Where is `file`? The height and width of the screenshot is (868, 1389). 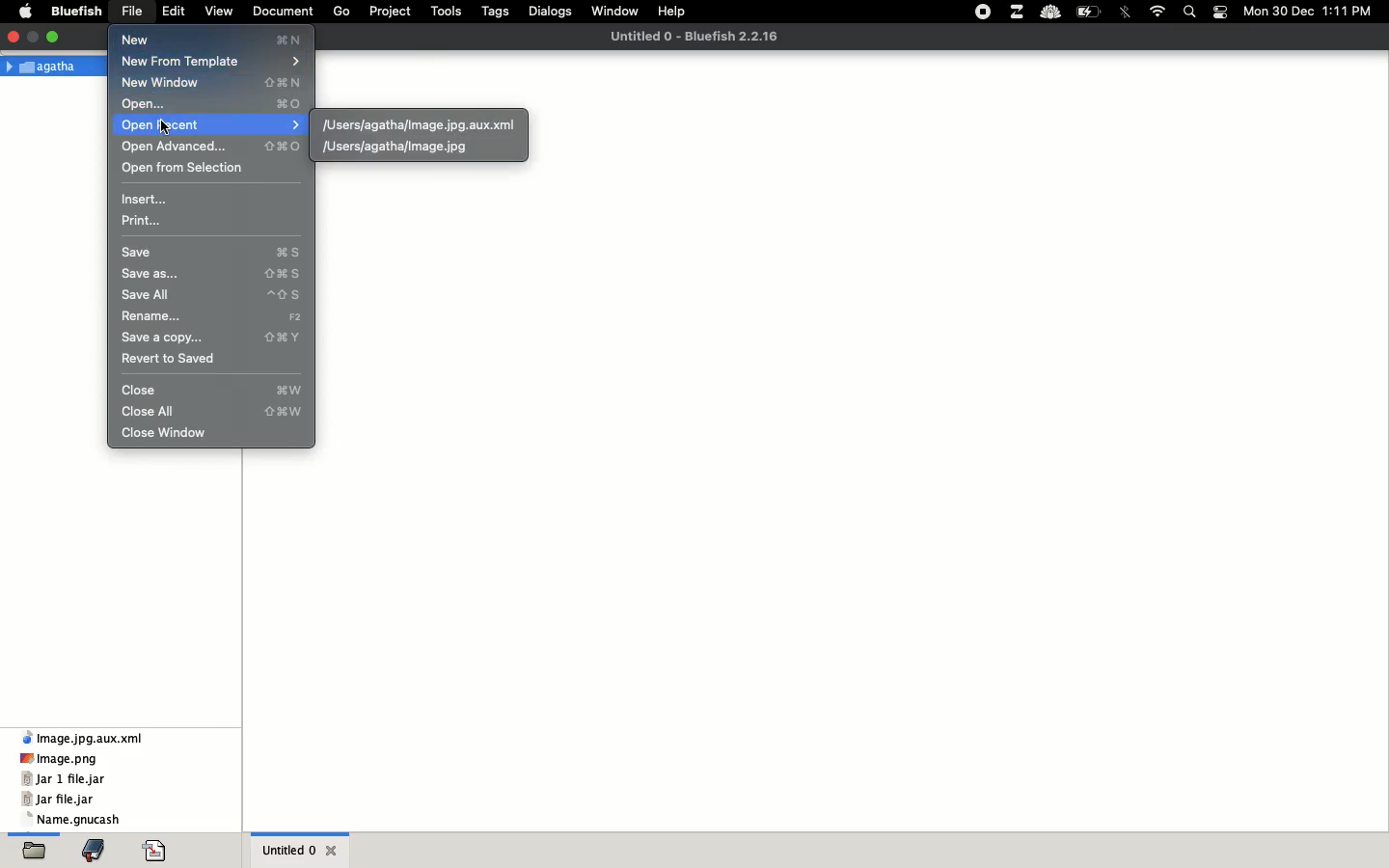 file is located at coordinates (134, 10).